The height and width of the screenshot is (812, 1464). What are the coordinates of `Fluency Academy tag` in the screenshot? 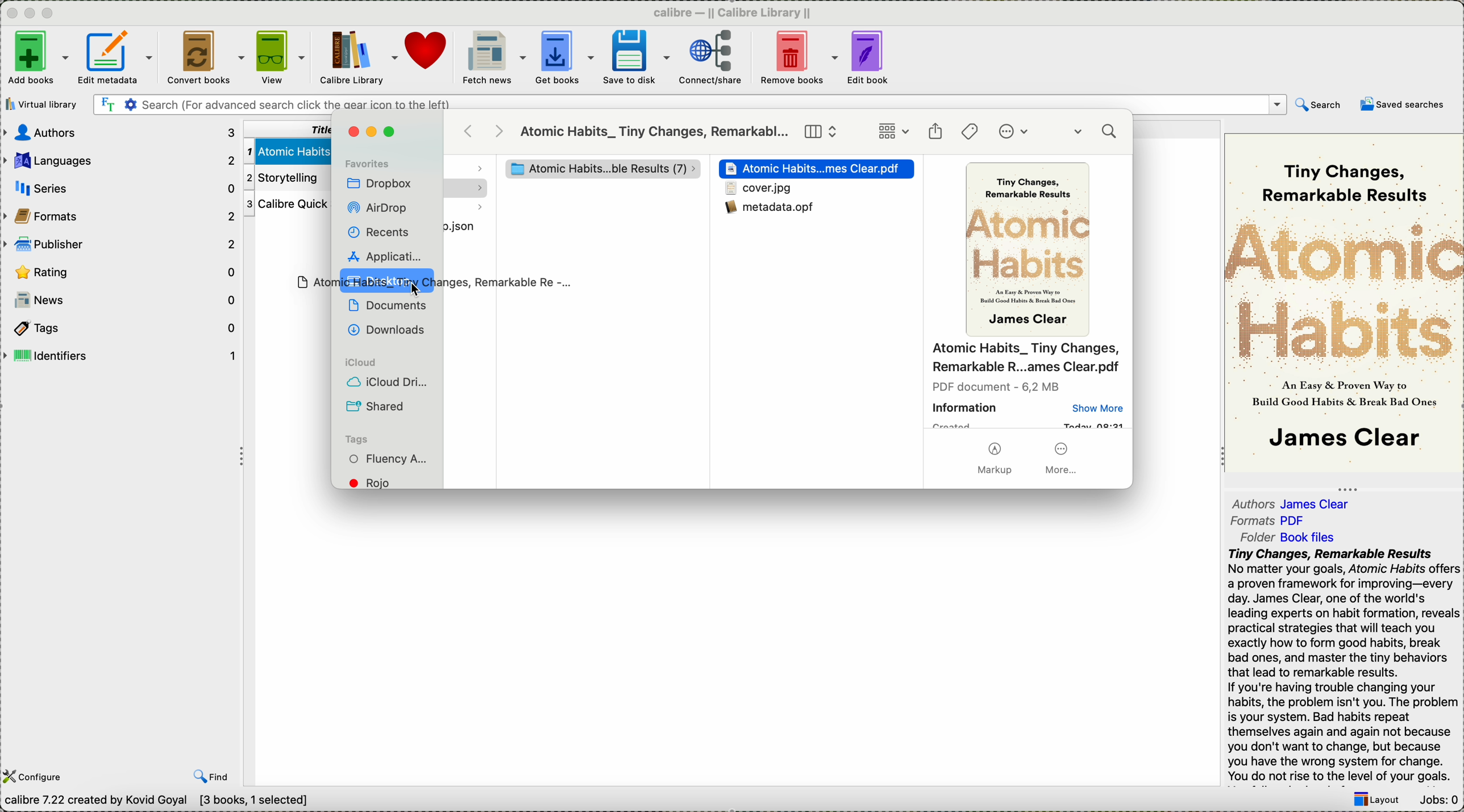 It's located at (389, 460).